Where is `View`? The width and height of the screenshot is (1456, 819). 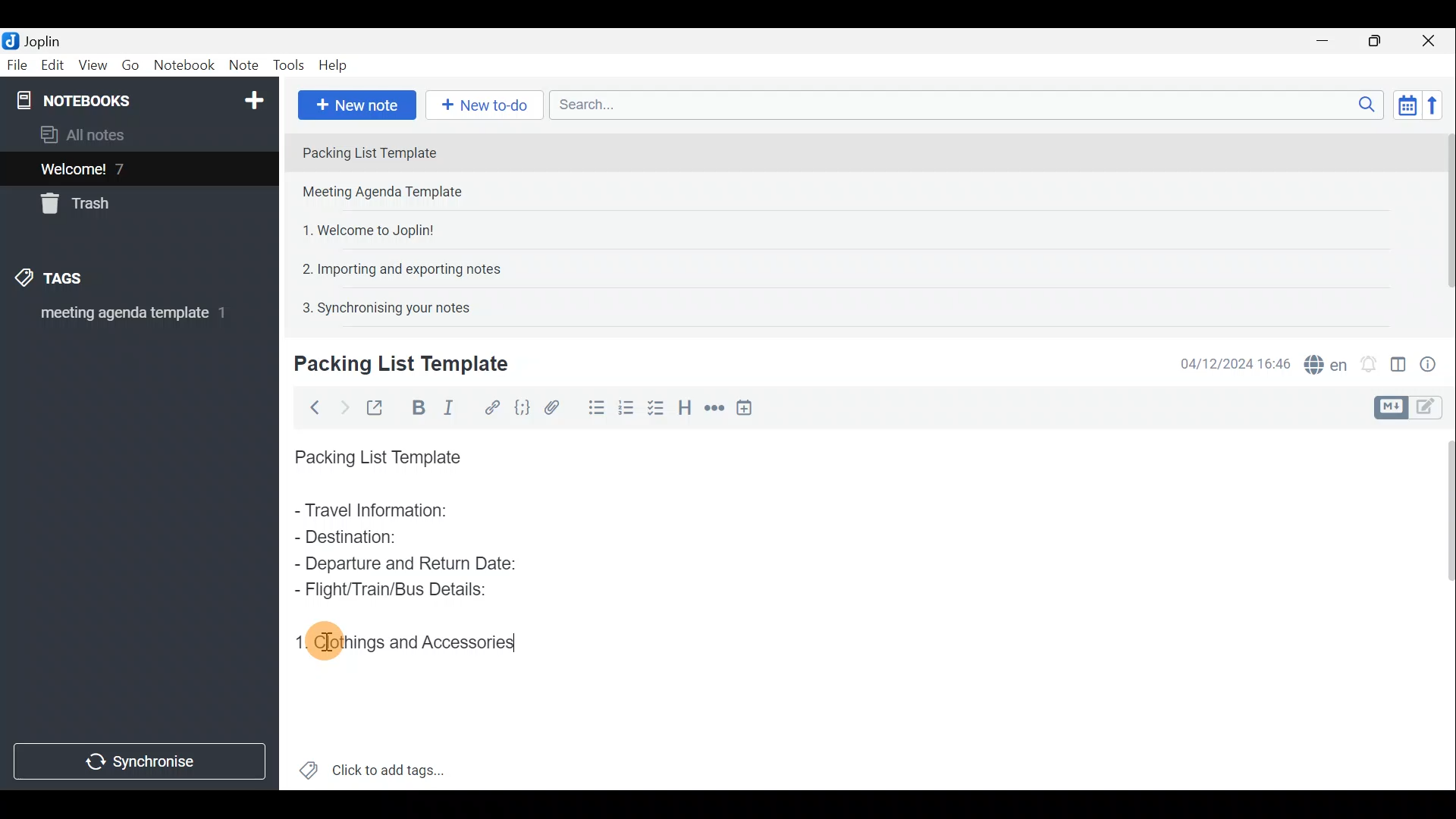
View is located at coordinates (94, 65).